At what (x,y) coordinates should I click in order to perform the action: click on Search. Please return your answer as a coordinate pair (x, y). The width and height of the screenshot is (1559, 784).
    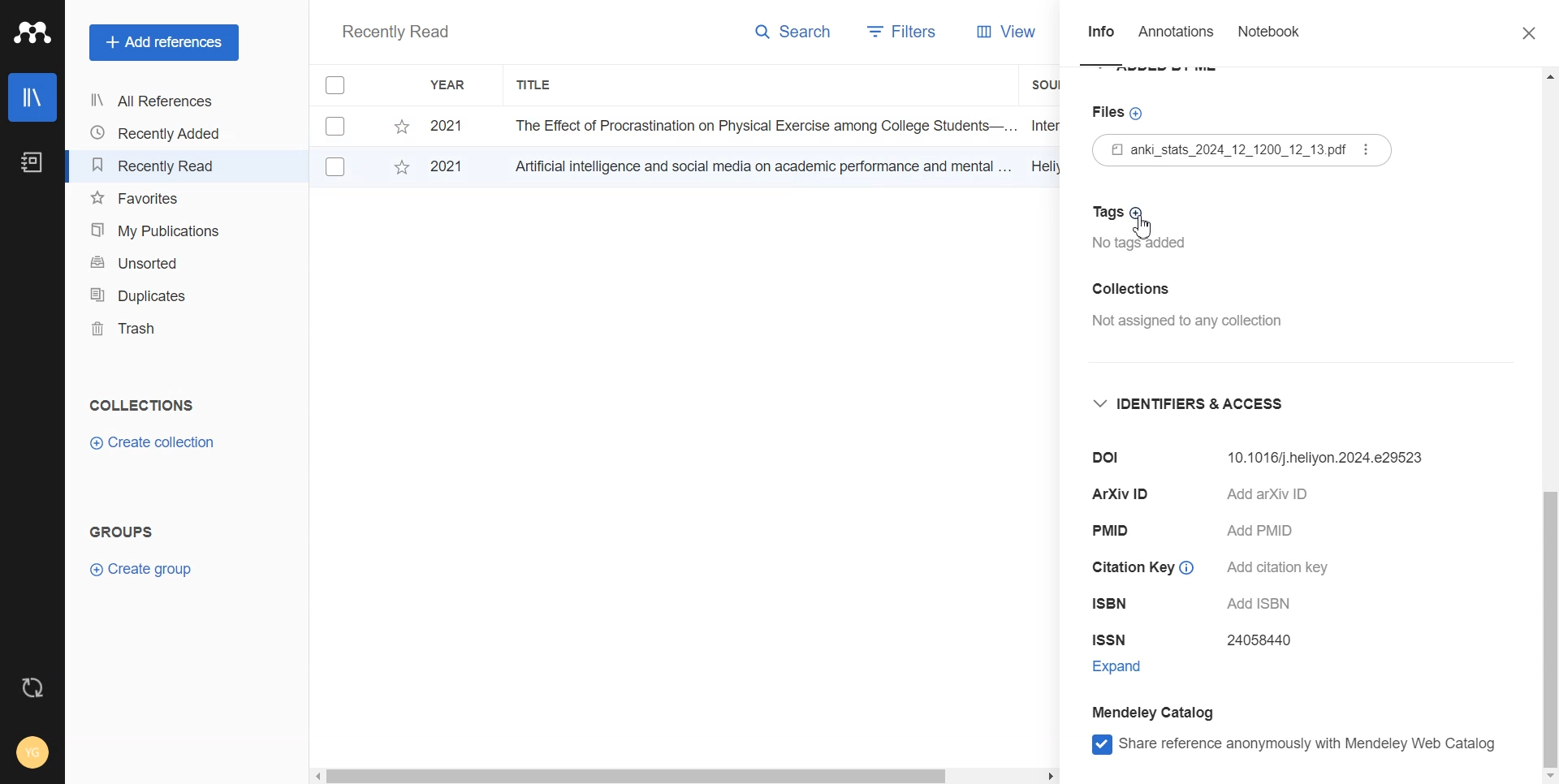
    Looking at the image, I should click on (794, 35).